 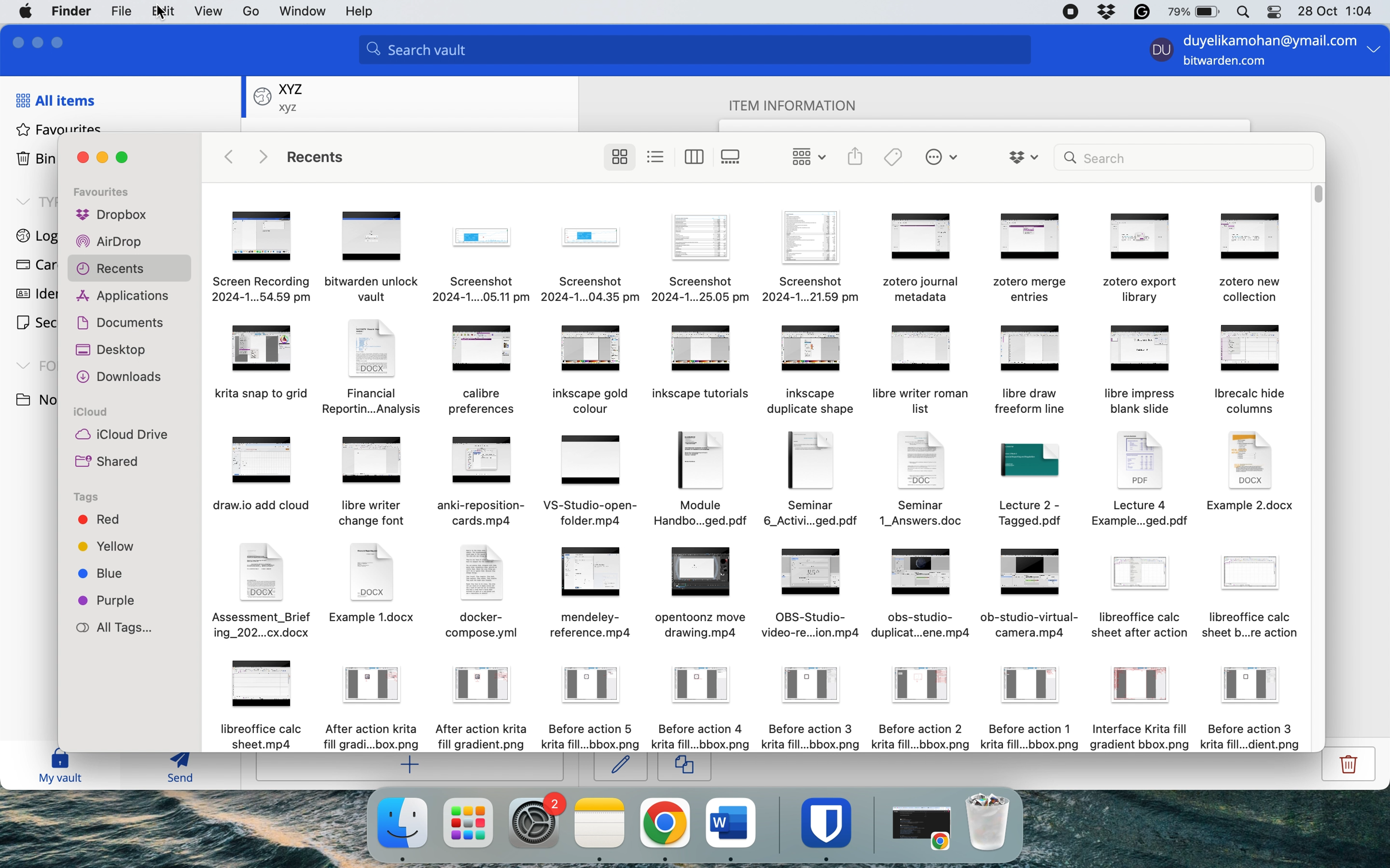 I want to click on maximise, so click(x=128, y=157).